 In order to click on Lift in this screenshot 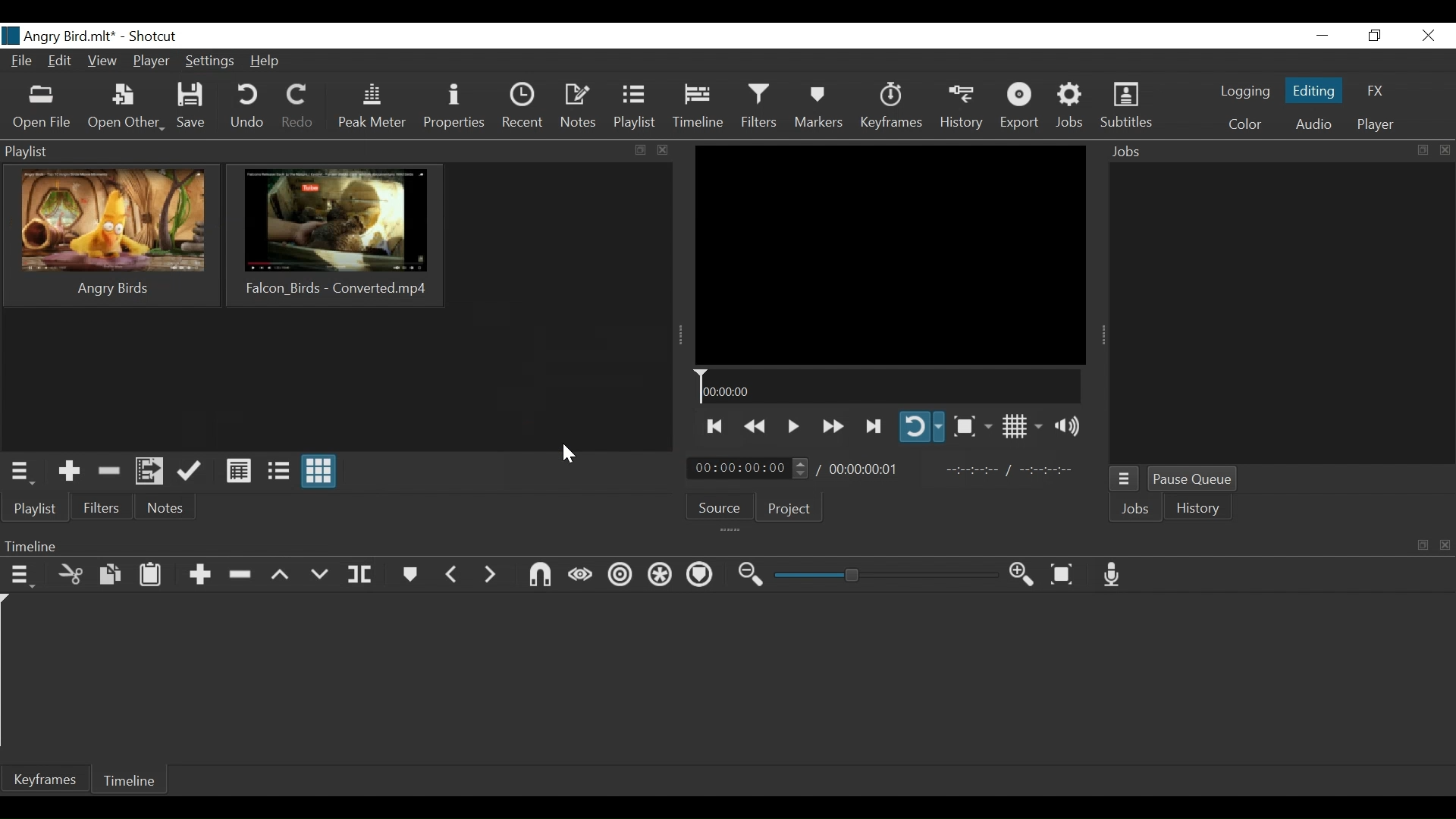, I will do `click(281, 578)`.